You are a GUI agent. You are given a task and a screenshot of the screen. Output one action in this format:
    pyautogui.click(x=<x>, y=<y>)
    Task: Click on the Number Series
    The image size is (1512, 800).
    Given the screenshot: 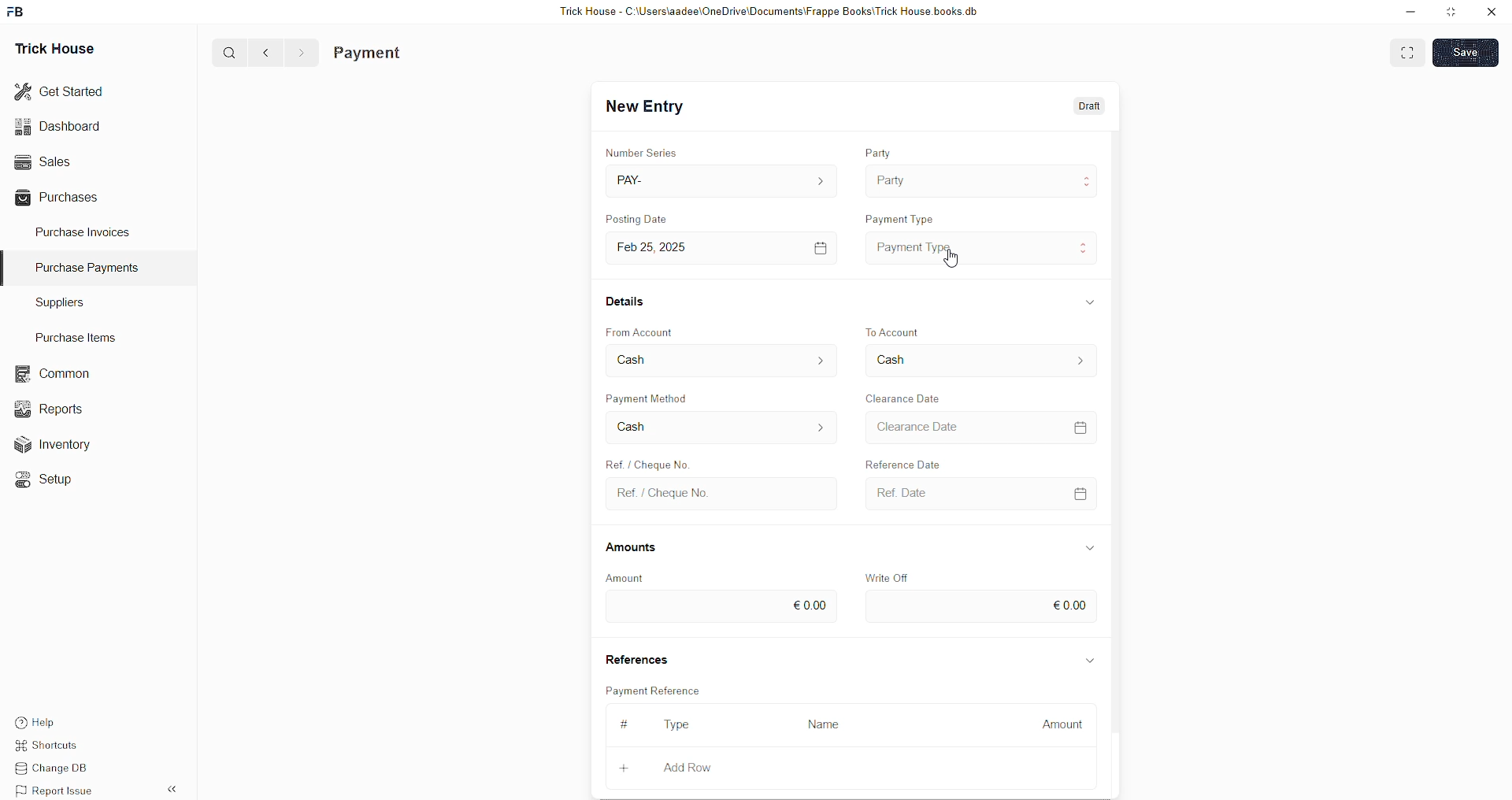 What is the action you would take?
    pyautogui.click(x=645, y=150)
    